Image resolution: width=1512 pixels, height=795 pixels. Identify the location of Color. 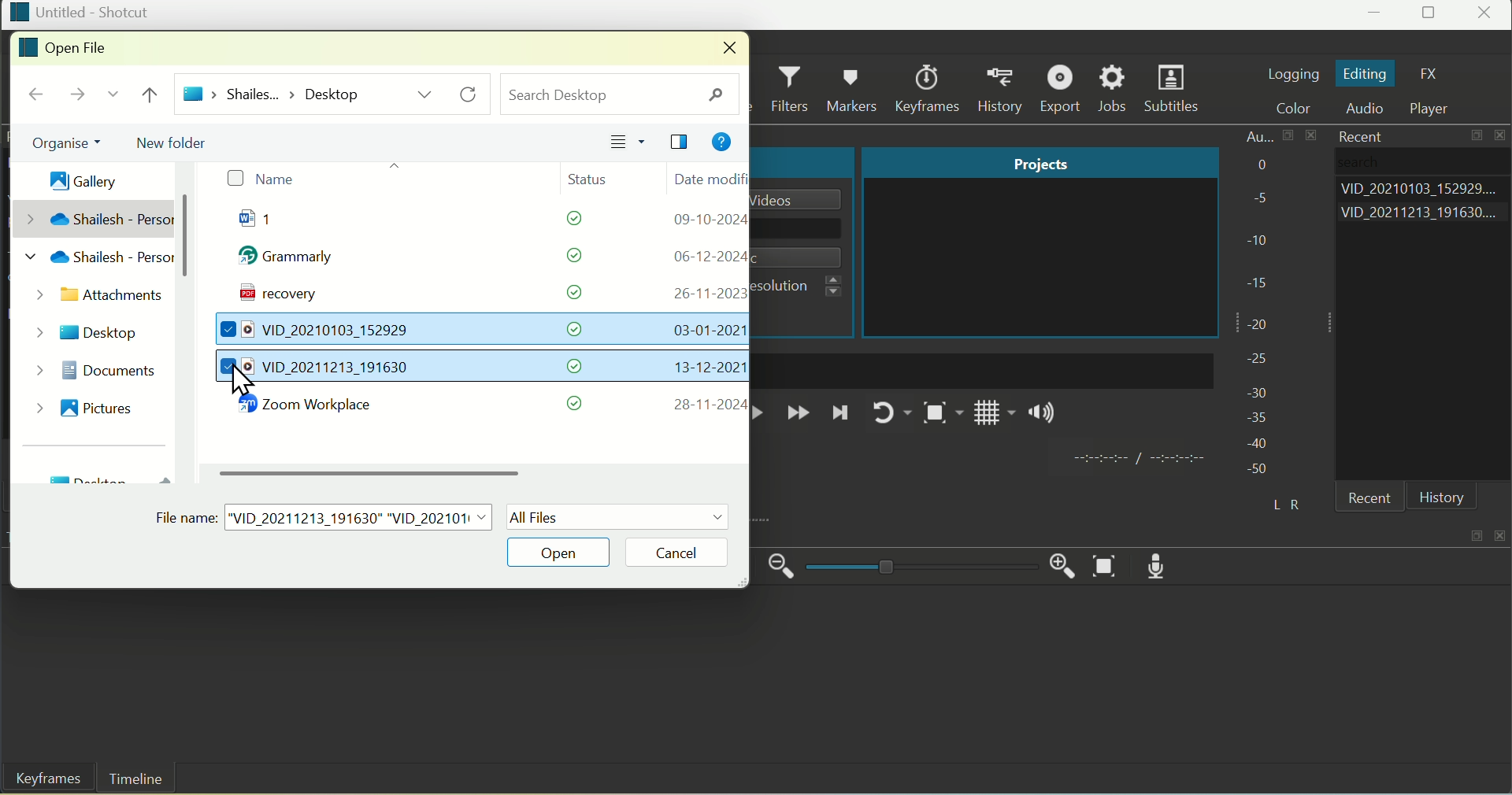
(1301, 109).